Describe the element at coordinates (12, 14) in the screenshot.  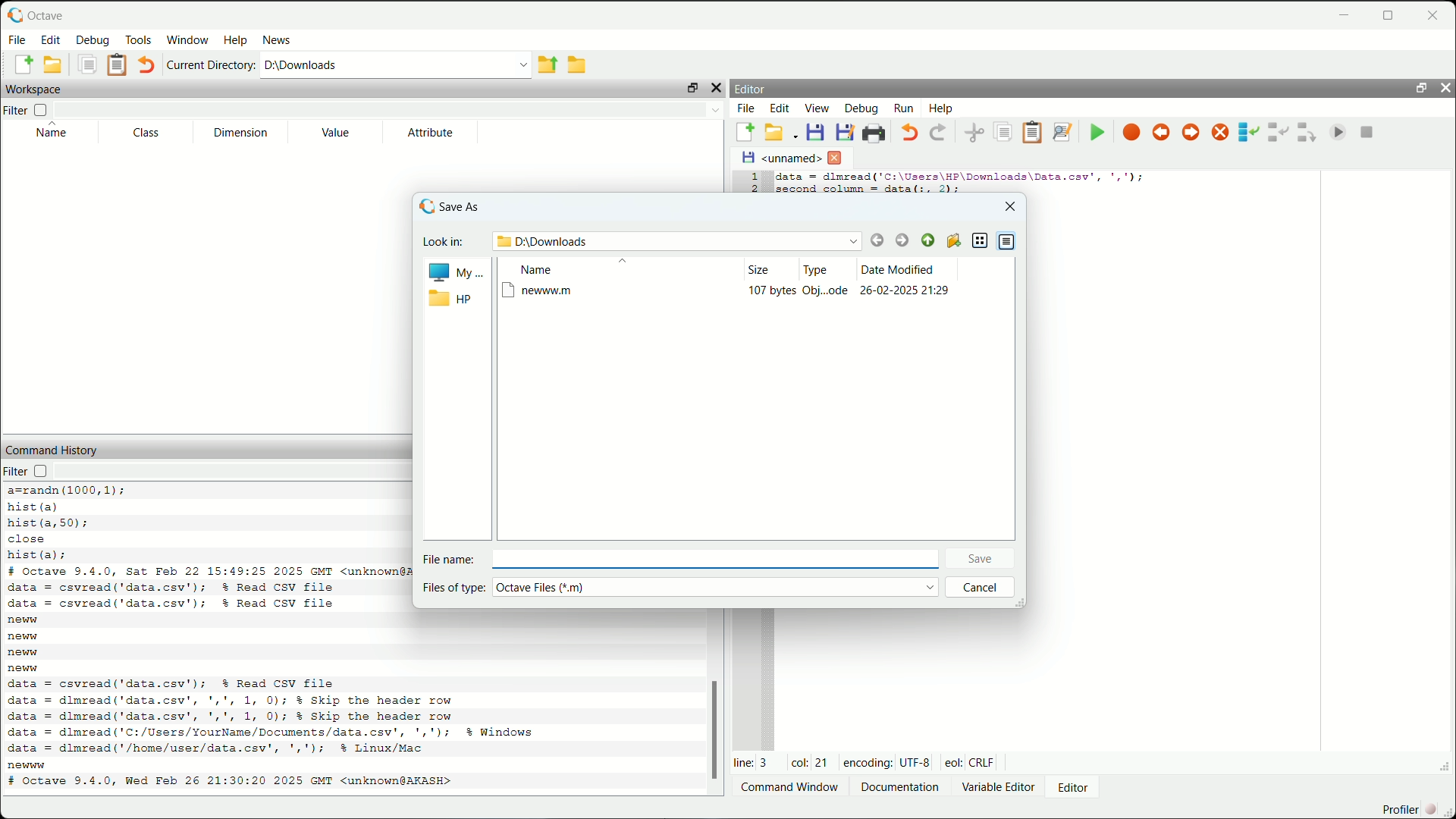
I see `logo` at that location.